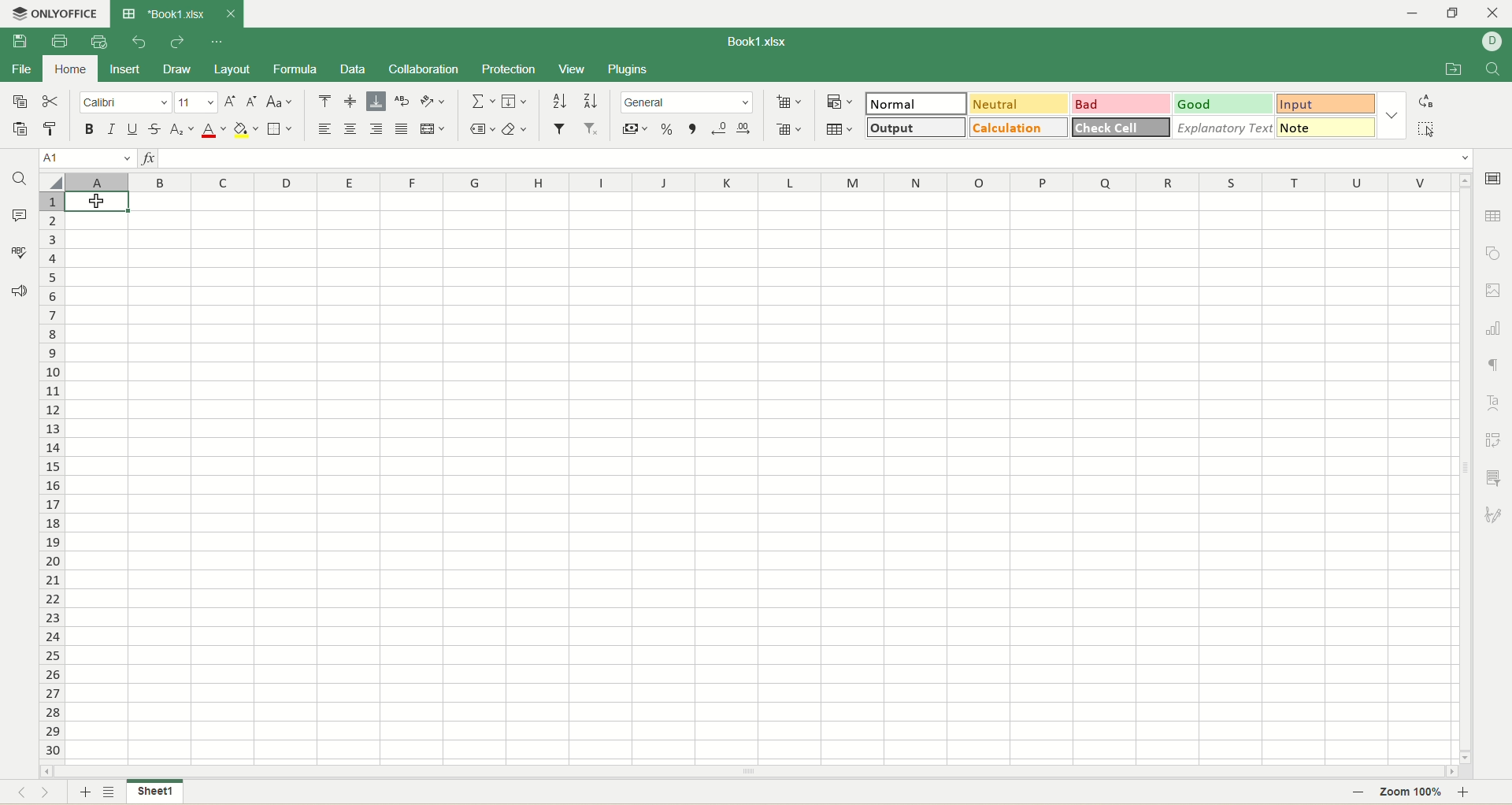 The width and height of the screenshot is (1512, 805). I want to click on change case, so click(280, 102).